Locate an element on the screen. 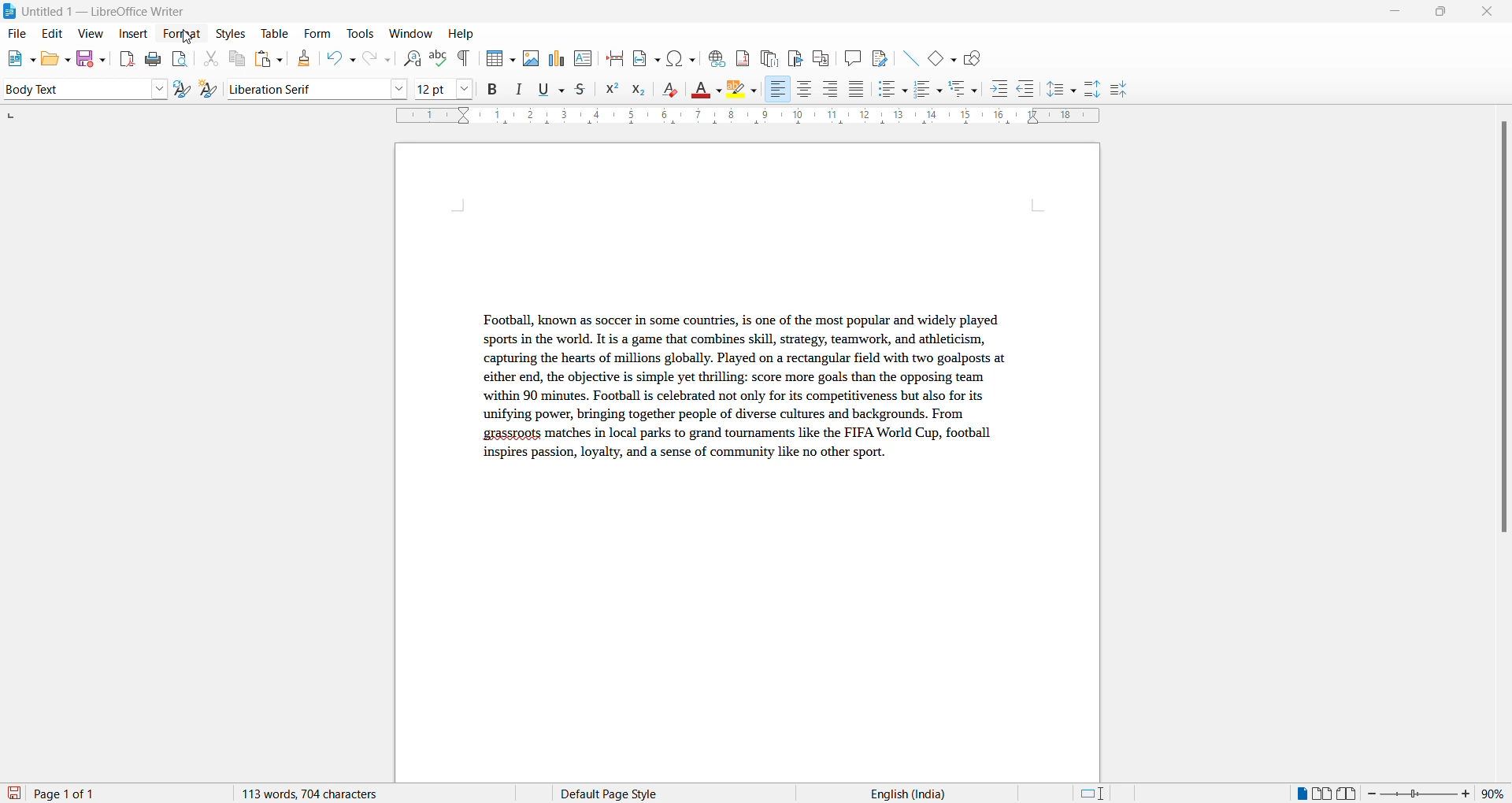 This screenshot has height=803, width=1512. book view is located at coordinates (1351, 794).